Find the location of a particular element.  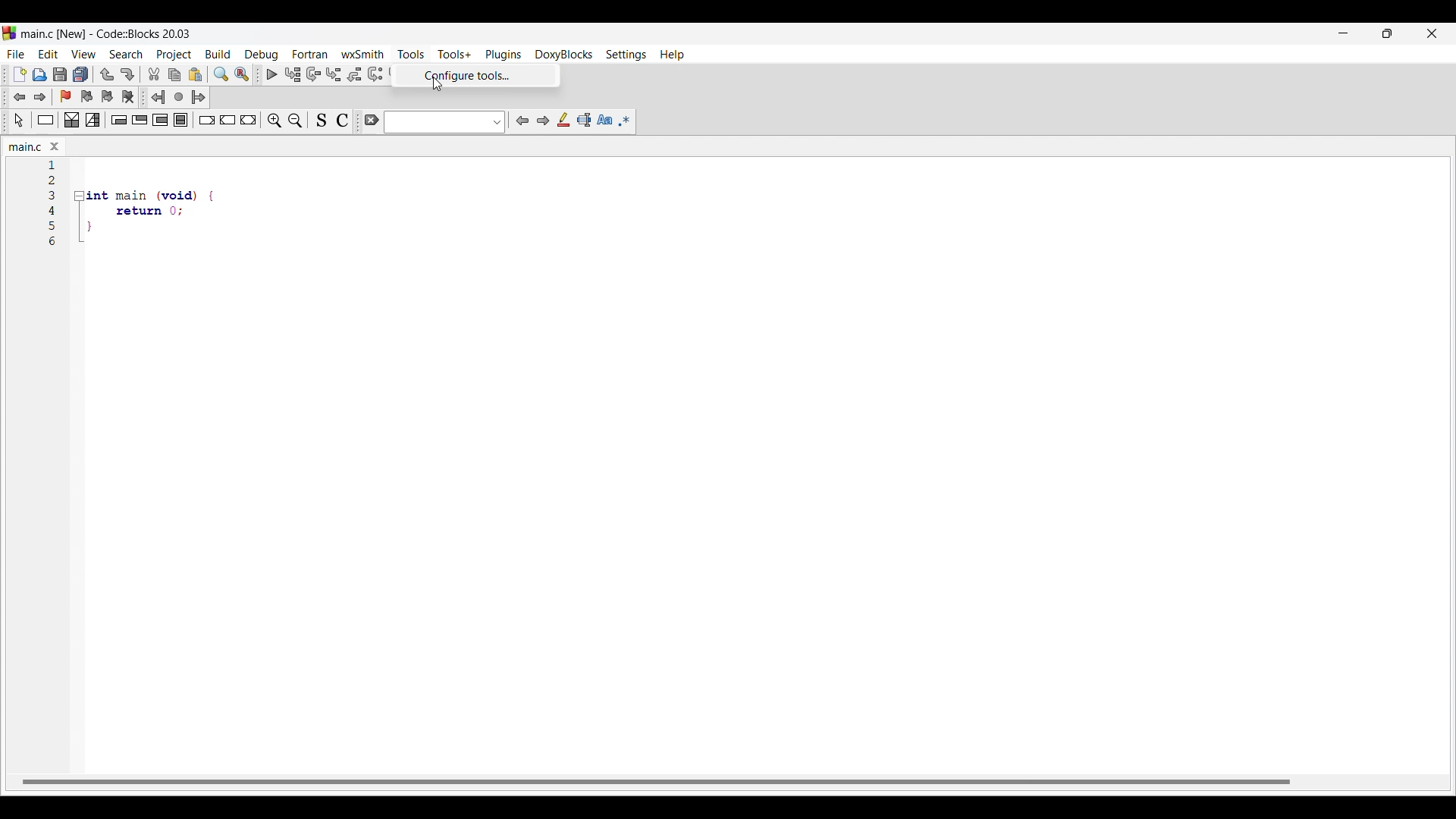

Open is located at coordinates (39, 75).